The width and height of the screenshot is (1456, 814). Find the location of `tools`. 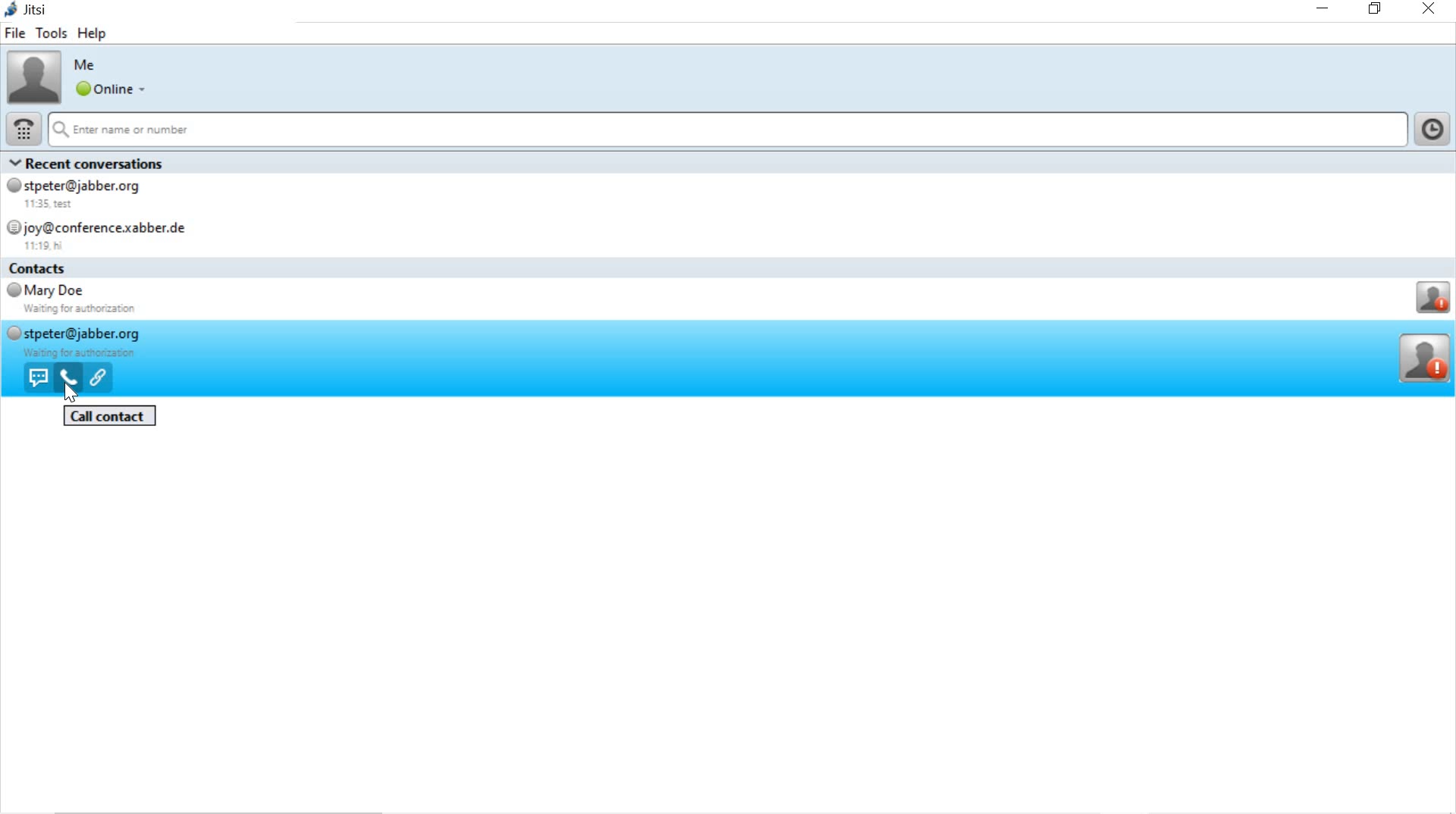

tools is located at coordinates (52, 33).